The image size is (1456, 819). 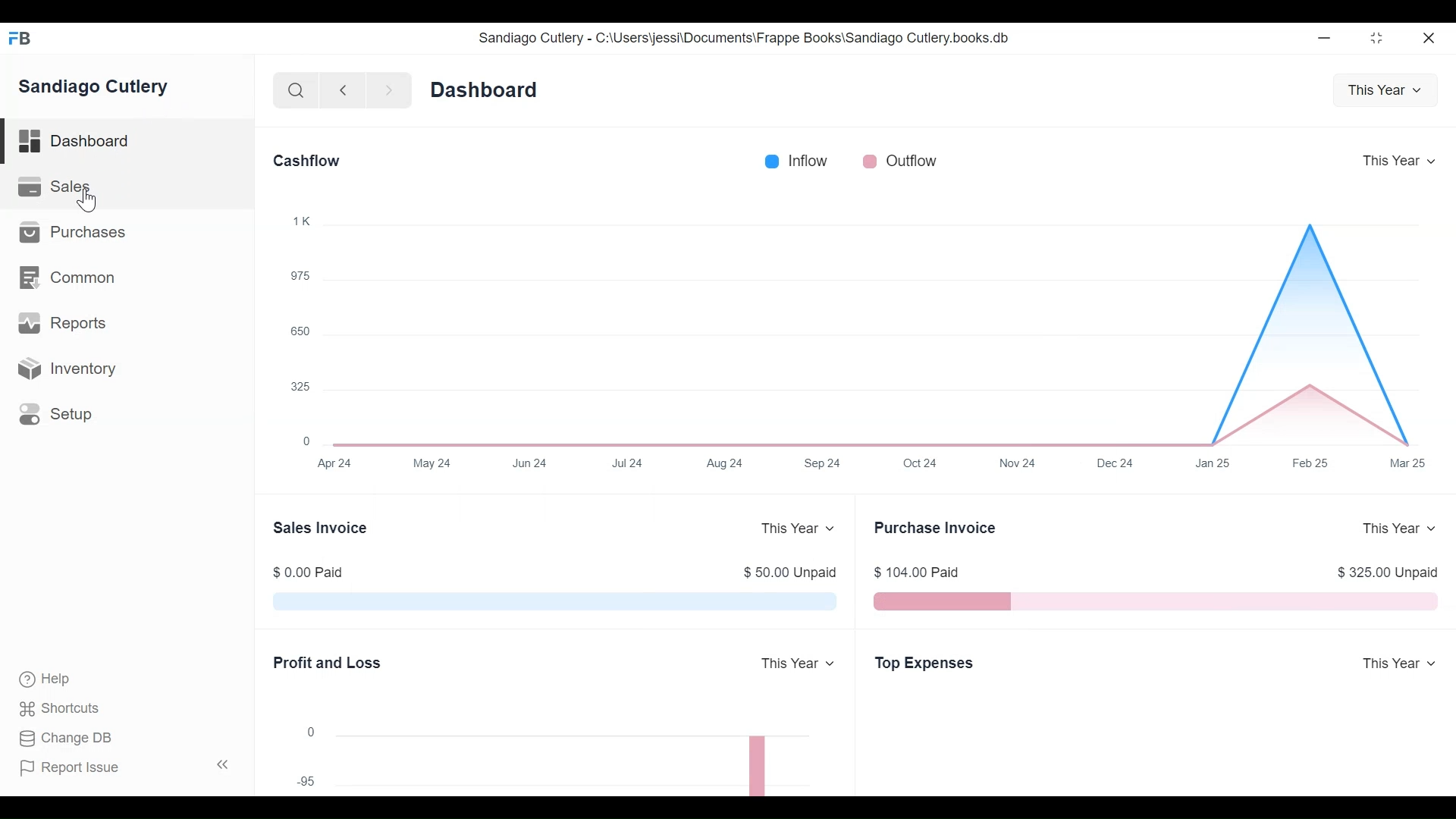 I want to click on Inflow, so click(x=796, y=160).